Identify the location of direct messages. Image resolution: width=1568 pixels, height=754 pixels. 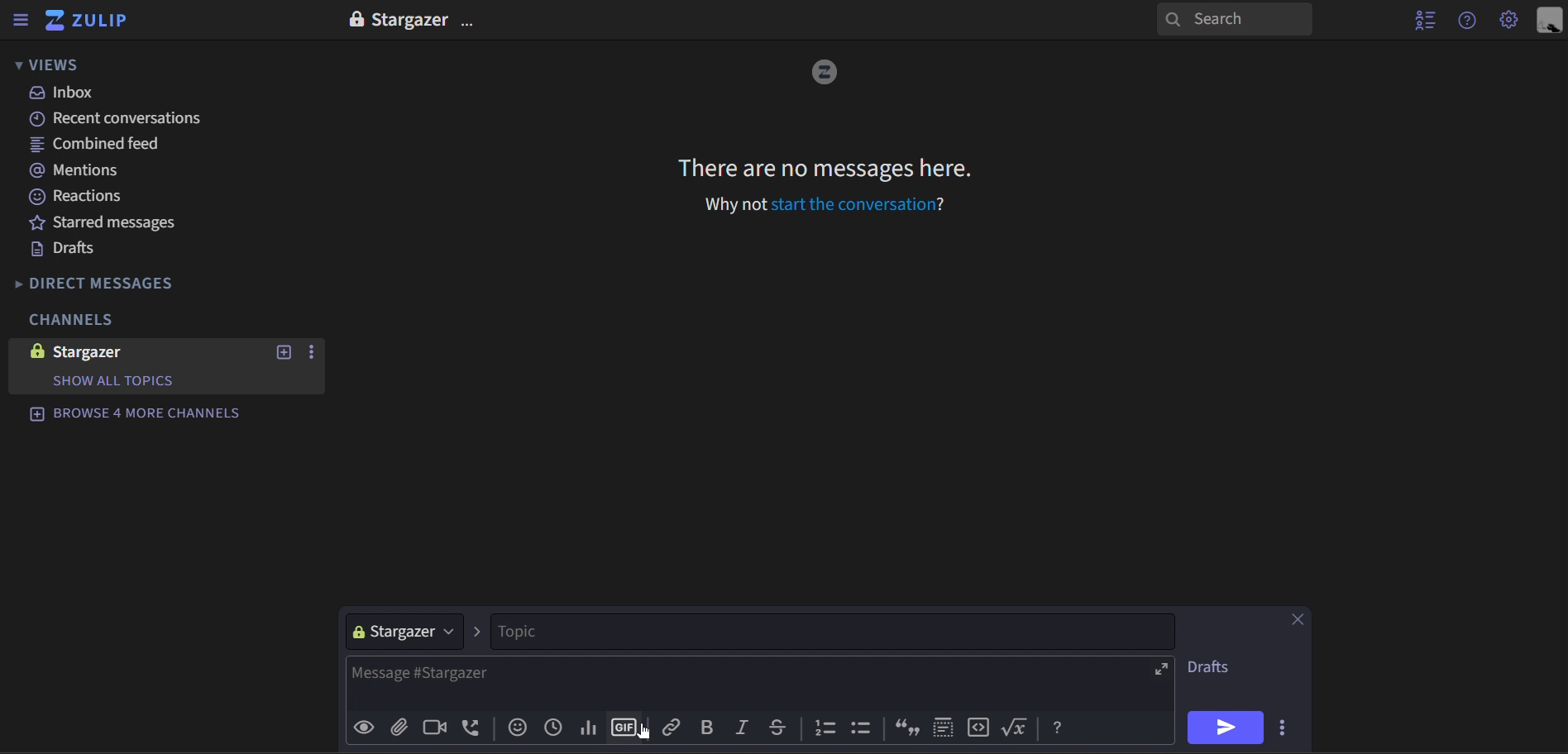
(92, 282).